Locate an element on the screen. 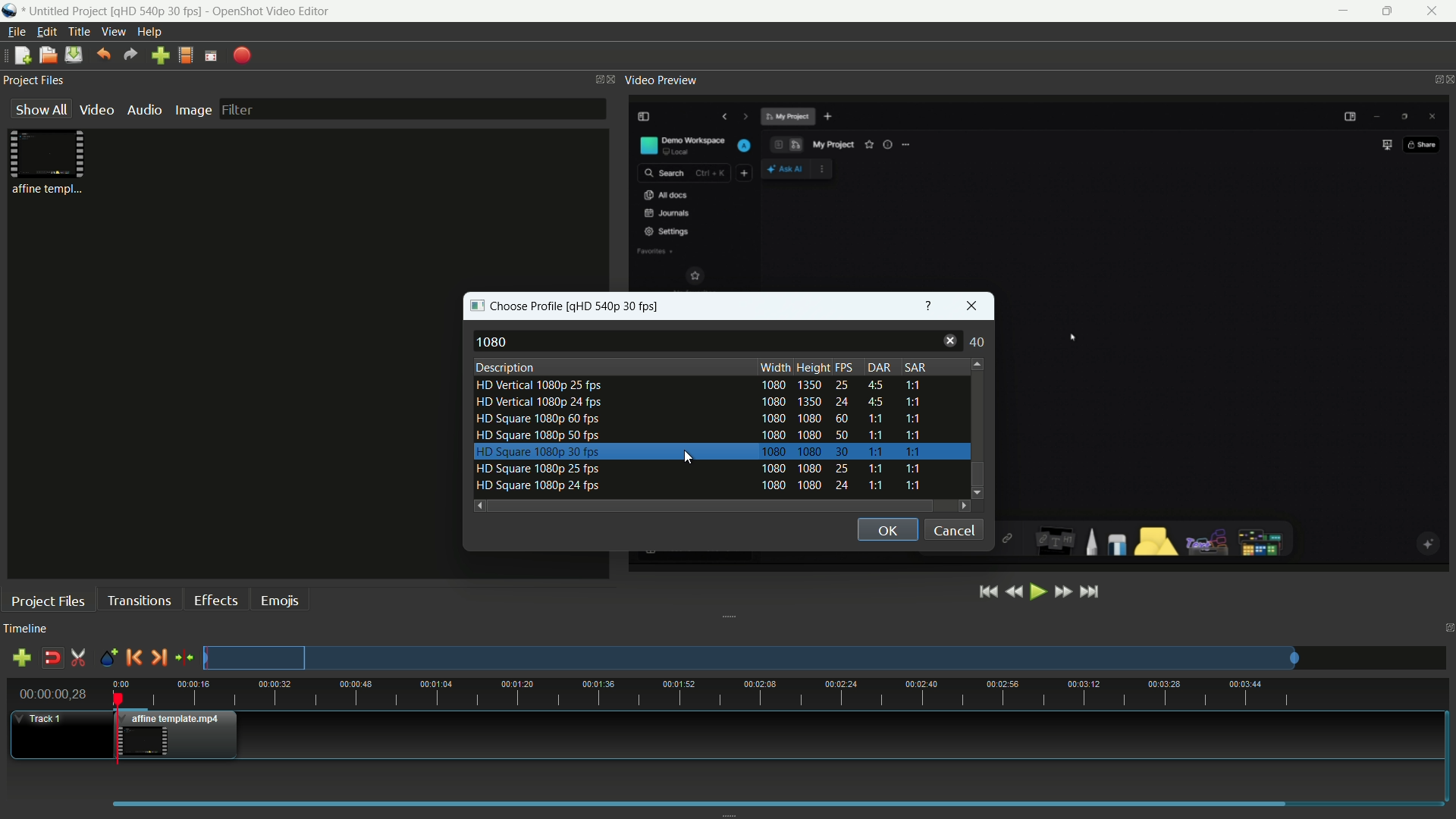 The height and width of the screenshot is (819, 1456). image is located at coordinates (193, 111).